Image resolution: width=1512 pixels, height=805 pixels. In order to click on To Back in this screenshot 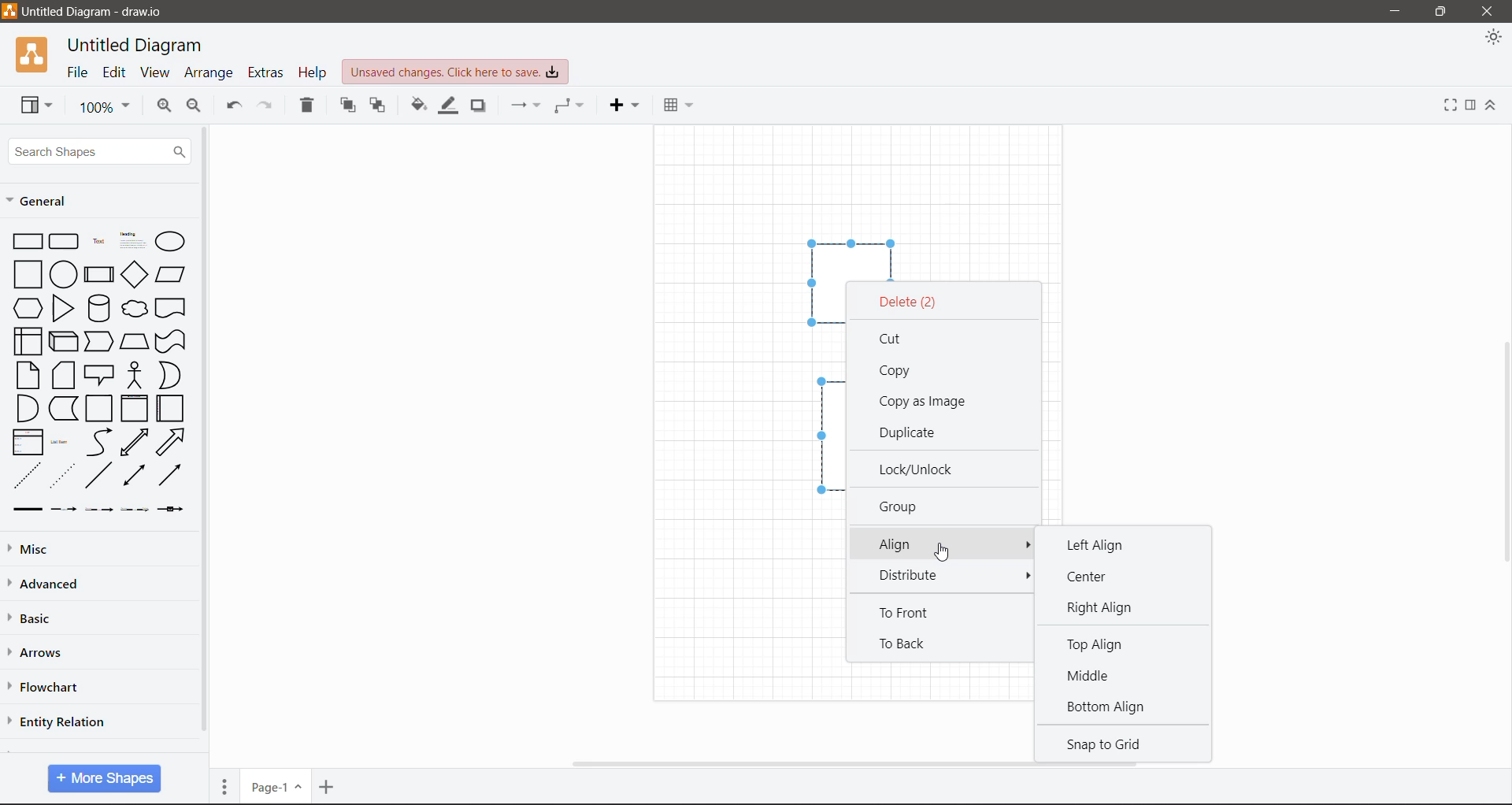, I will do `click(376, 106)`.